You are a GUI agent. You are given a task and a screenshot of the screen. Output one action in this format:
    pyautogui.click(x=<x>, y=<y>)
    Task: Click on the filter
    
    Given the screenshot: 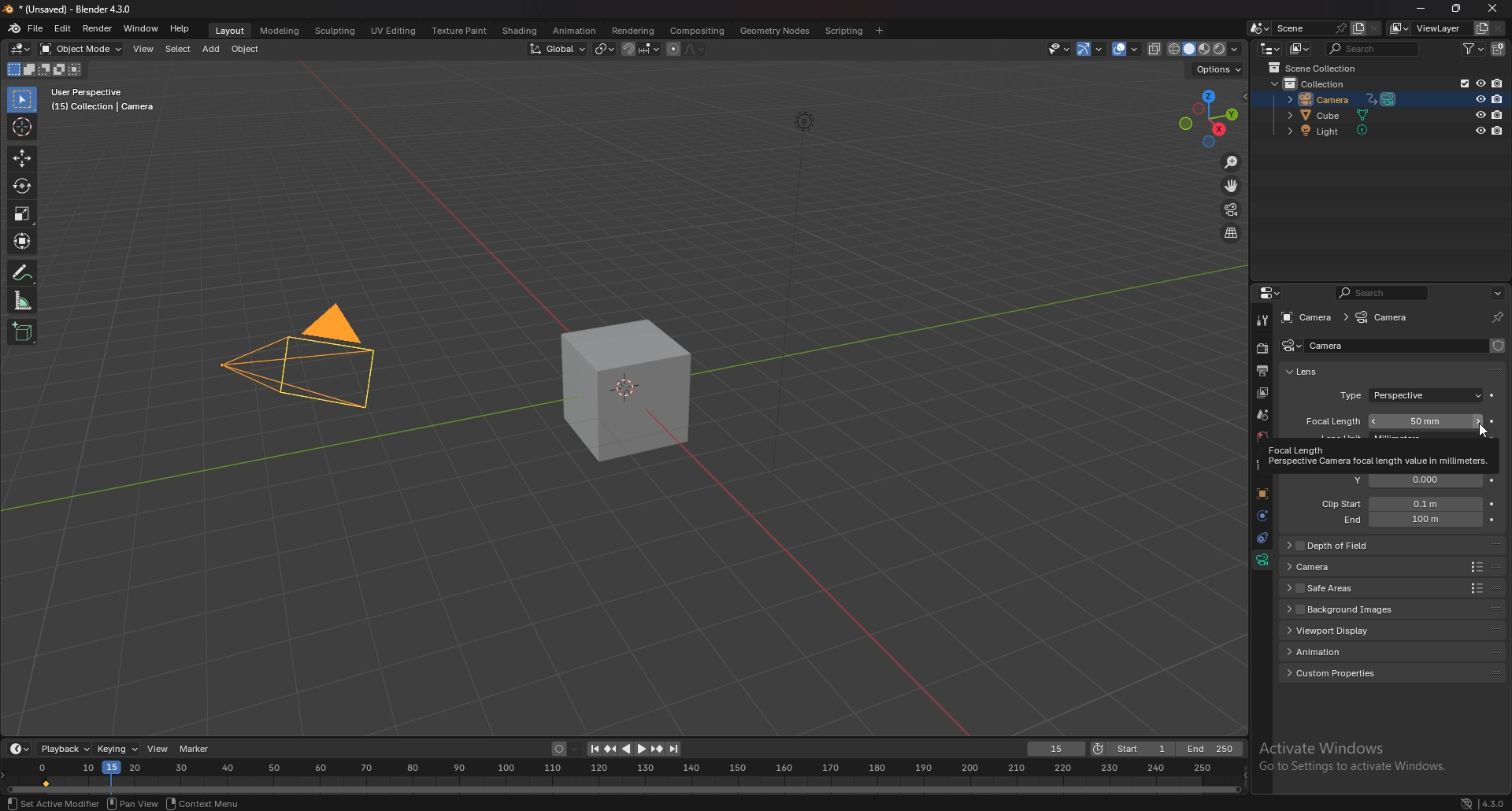 What is the action you would take?
    pyautogui.click(x=1474, y=50)
    